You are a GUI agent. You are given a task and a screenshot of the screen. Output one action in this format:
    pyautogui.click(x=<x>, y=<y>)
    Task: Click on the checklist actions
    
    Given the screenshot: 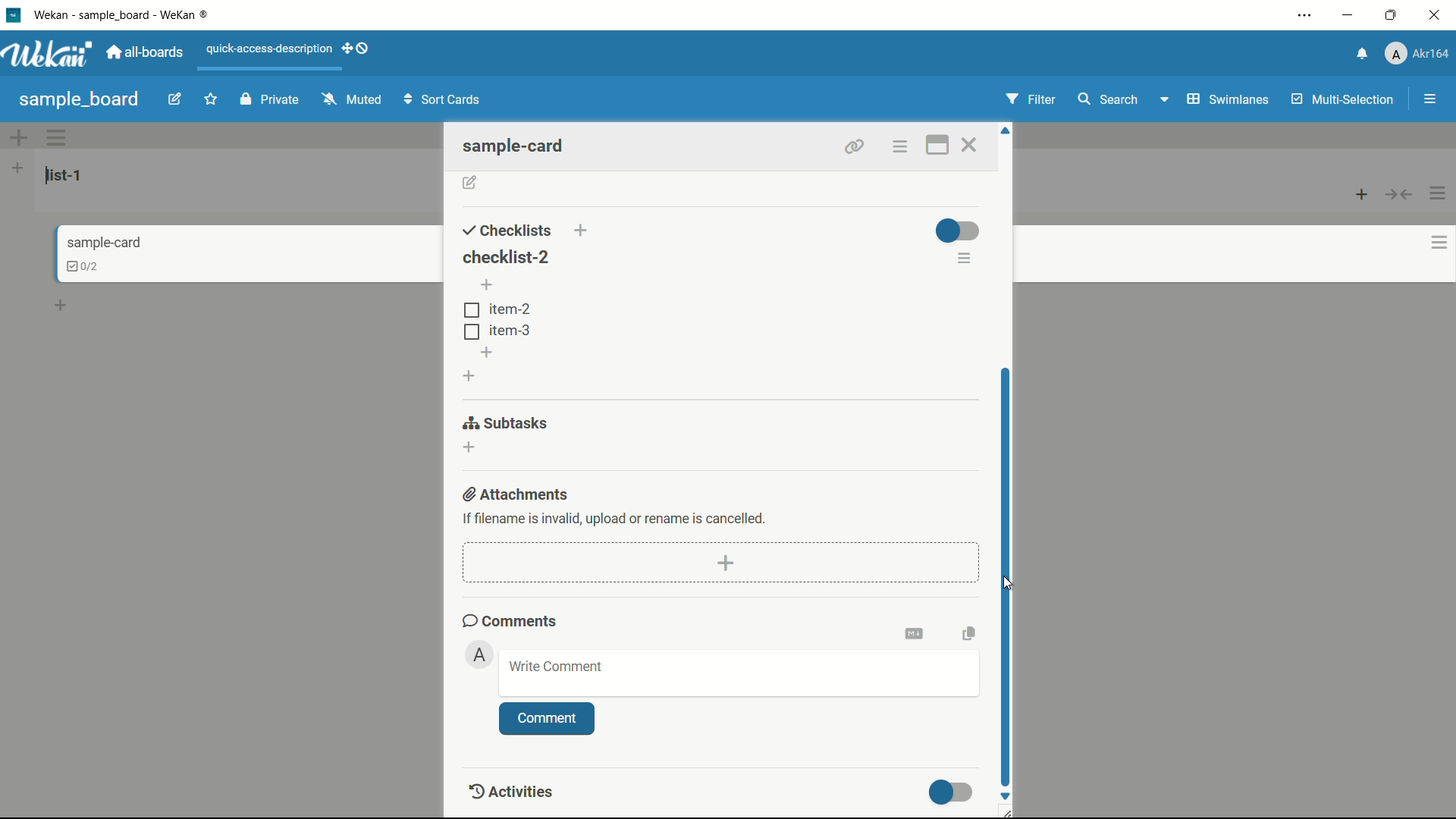 What is the action you would take?
    pyautogui.click(x=965, y=261)
    